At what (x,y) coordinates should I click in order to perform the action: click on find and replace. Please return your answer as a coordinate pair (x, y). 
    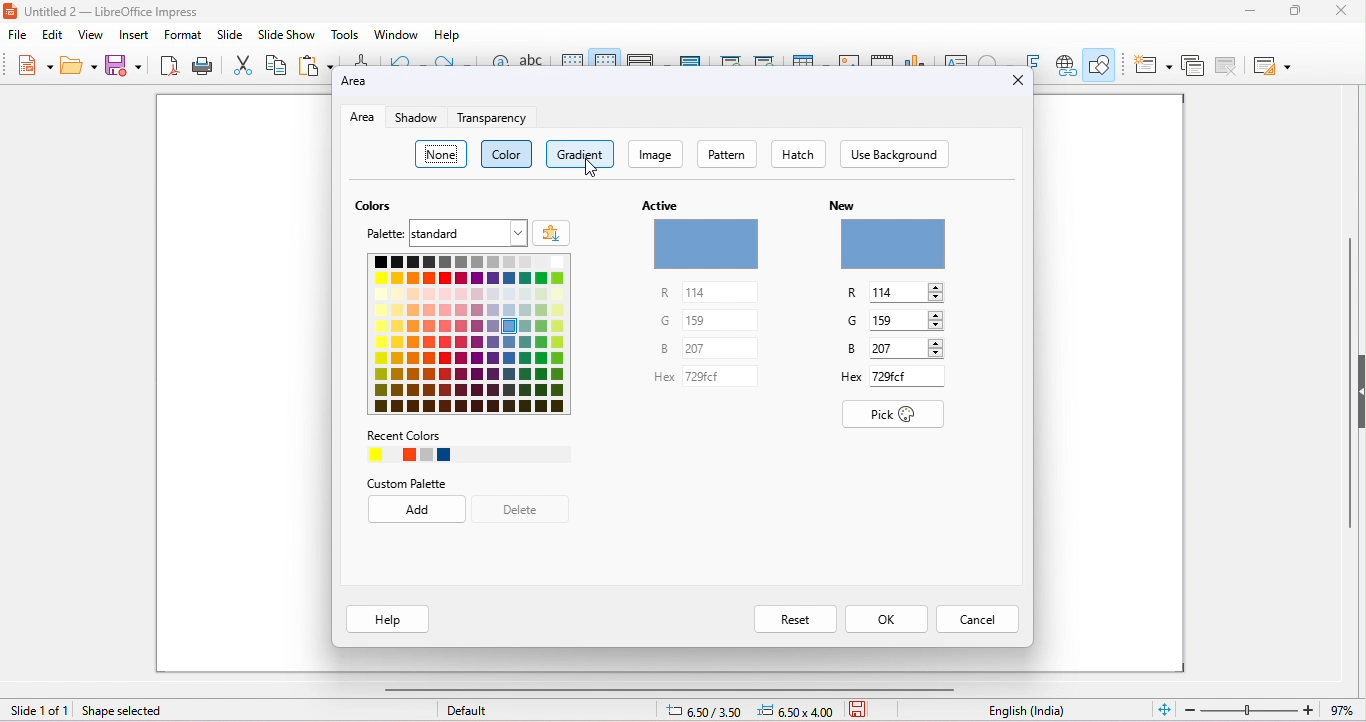
    Looking at the image, I should click on (499, 59).